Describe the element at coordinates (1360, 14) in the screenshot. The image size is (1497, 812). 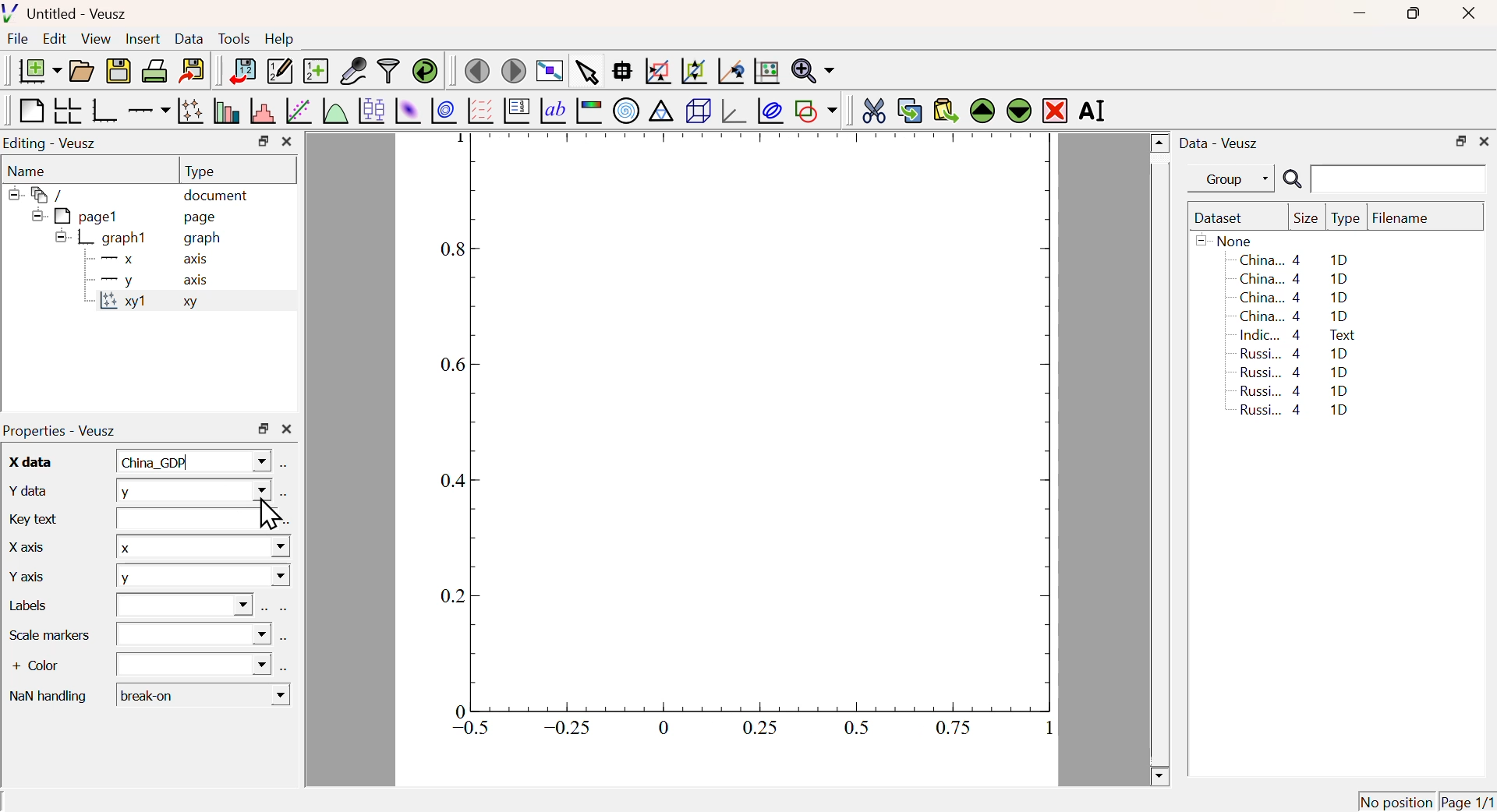
I see `Minimize` at that location.